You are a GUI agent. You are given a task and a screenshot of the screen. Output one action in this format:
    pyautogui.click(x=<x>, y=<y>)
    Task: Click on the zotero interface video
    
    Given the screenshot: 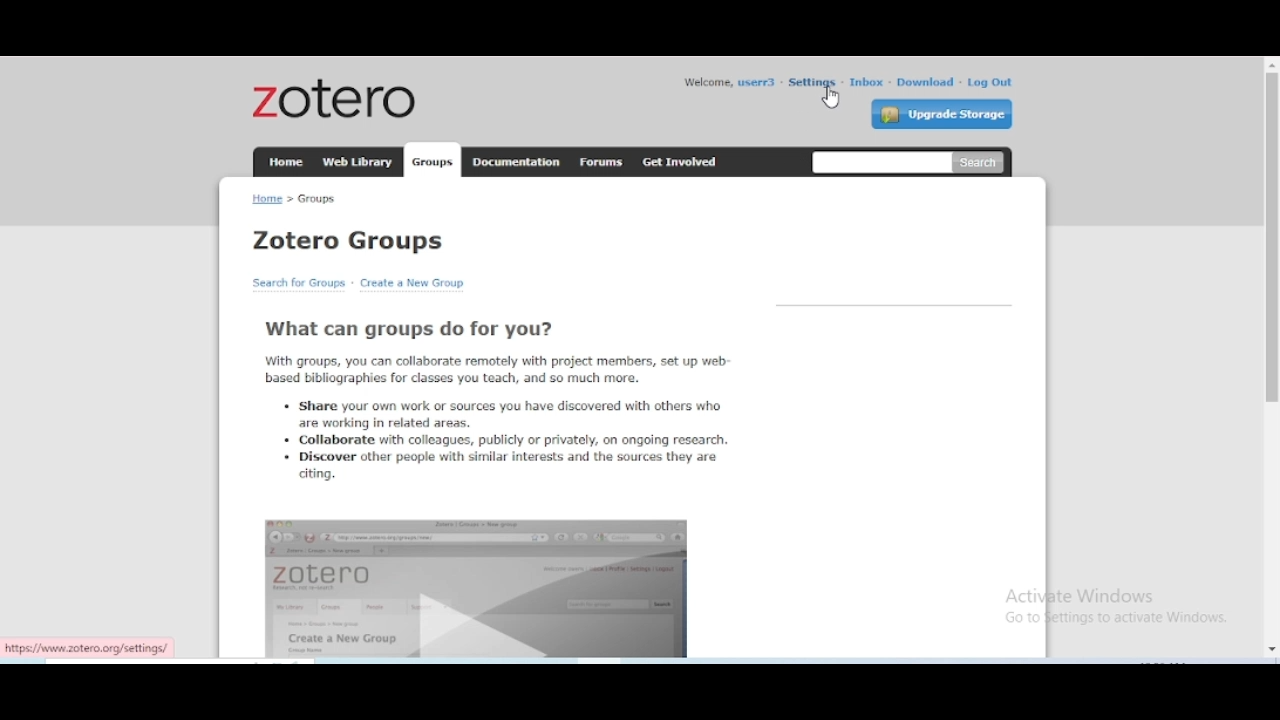 What is the action you would take?
    pyautogui.click(x=476, y=588)
    